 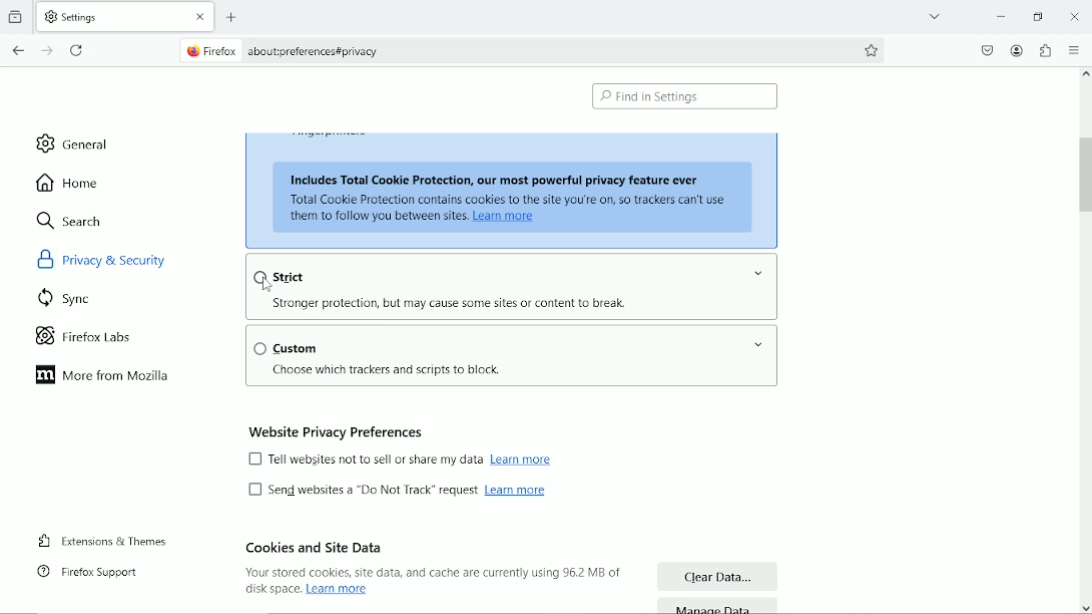 What do you see at coordinates (506, 216) in the screenshot?
I see `link` at bounding box center [506, 216].